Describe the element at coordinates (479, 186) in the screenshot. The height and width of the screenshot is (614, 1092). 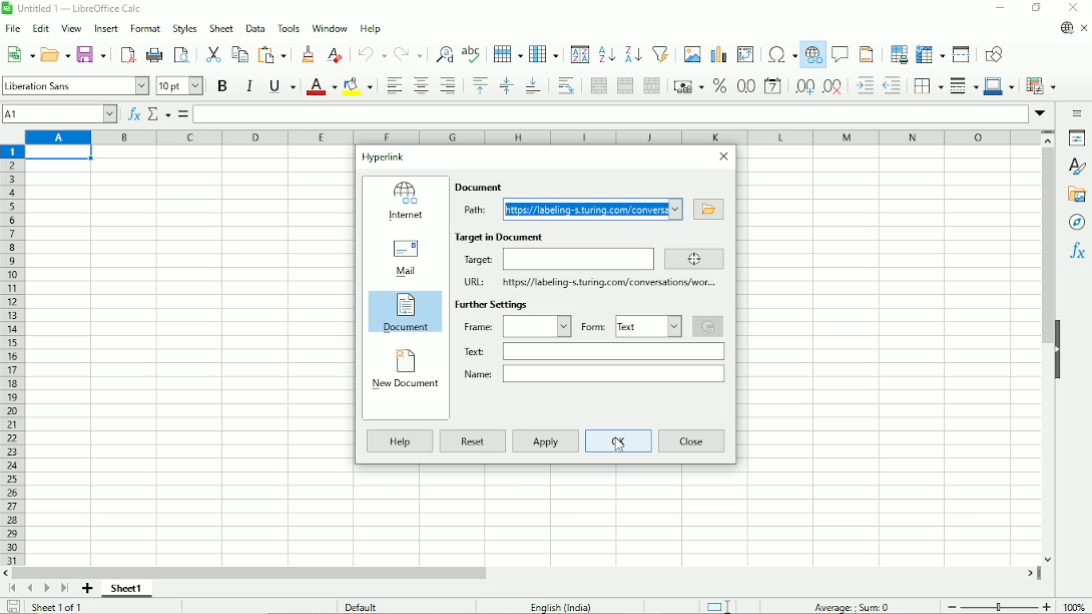
I see `Document` at that location.